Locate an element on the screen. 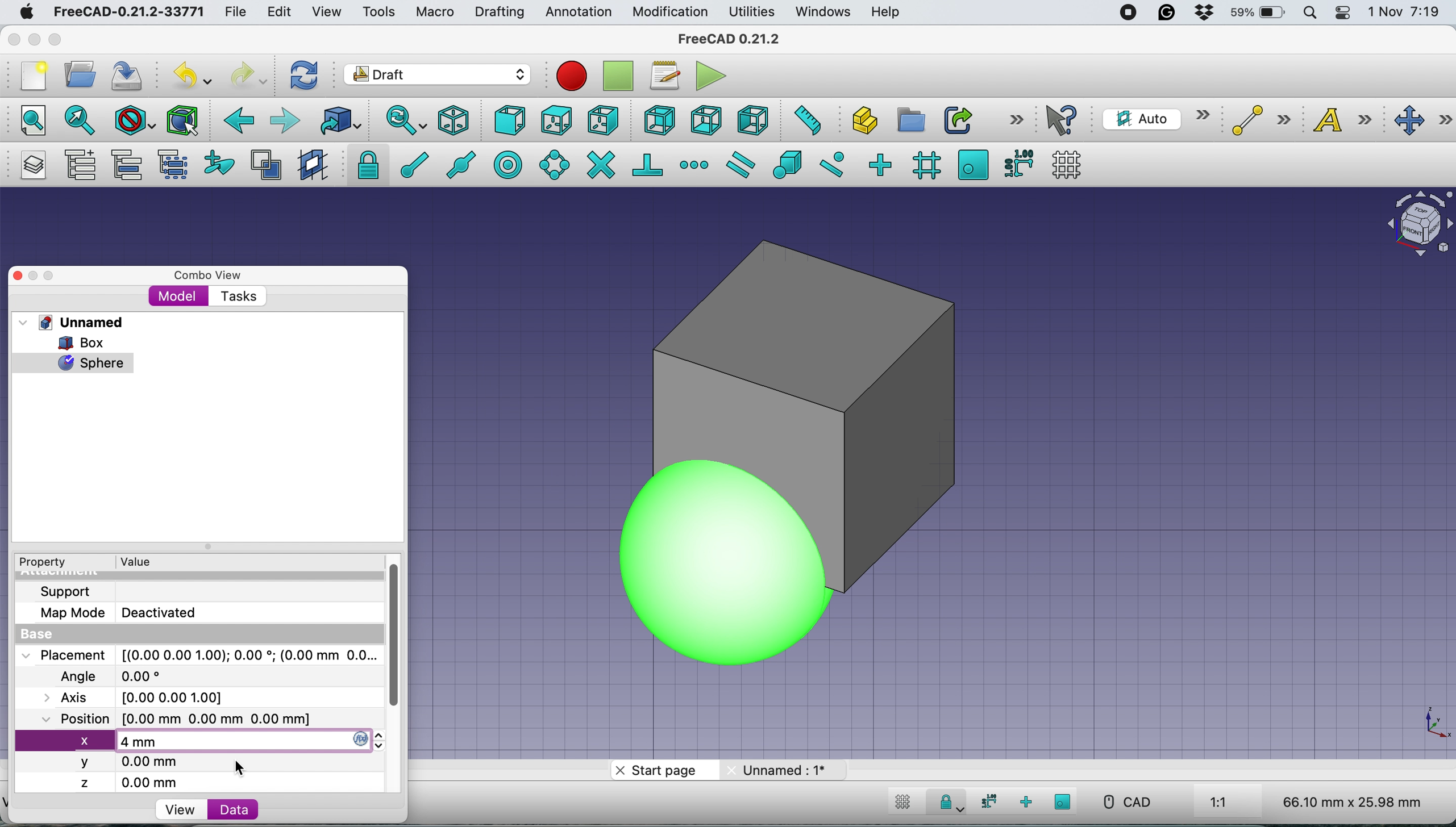  top is located at coordinates (556, 119).